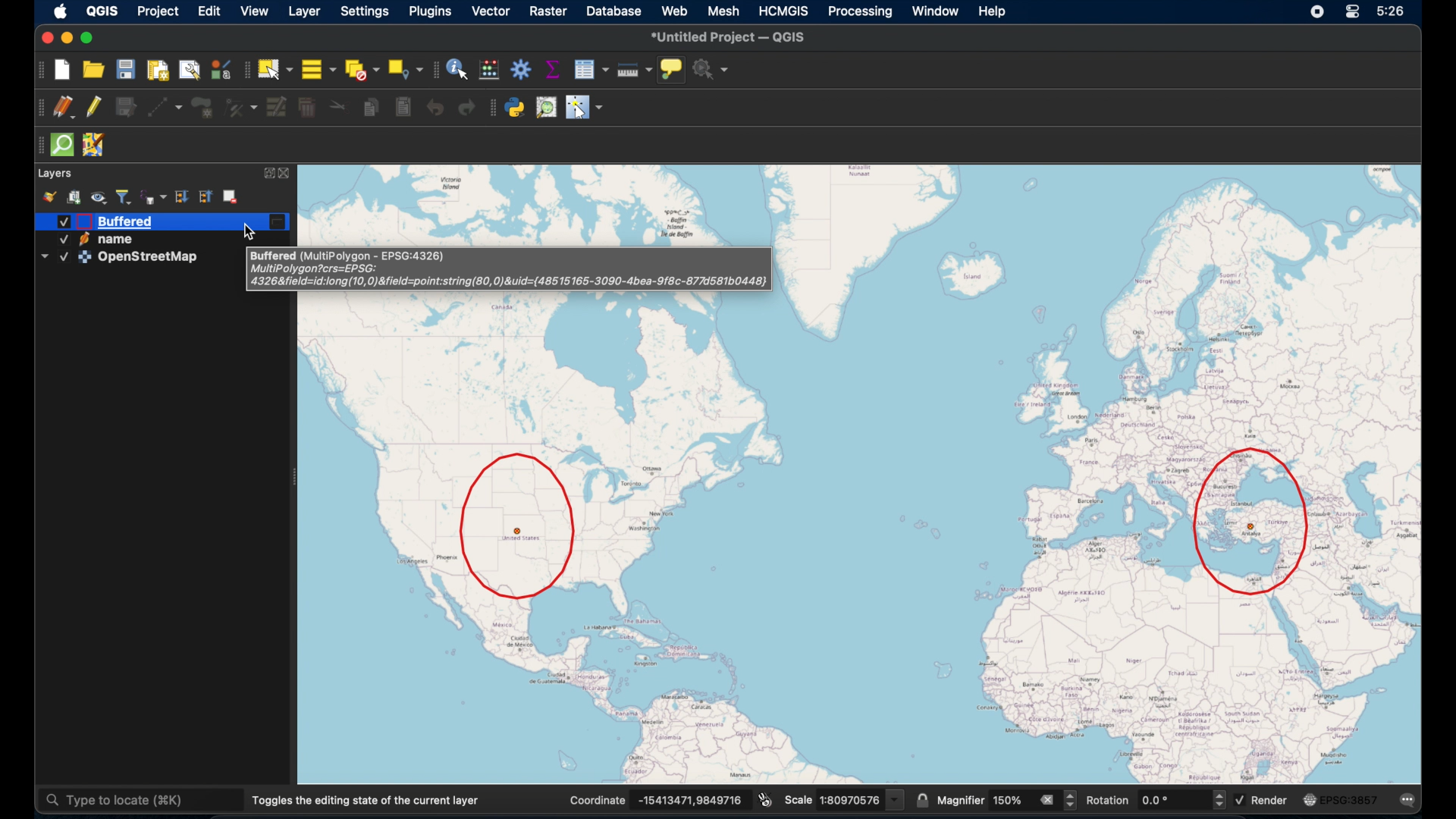 This screenshot has width=1456, height=819. I want to click on clear all, so click(1043, 799).